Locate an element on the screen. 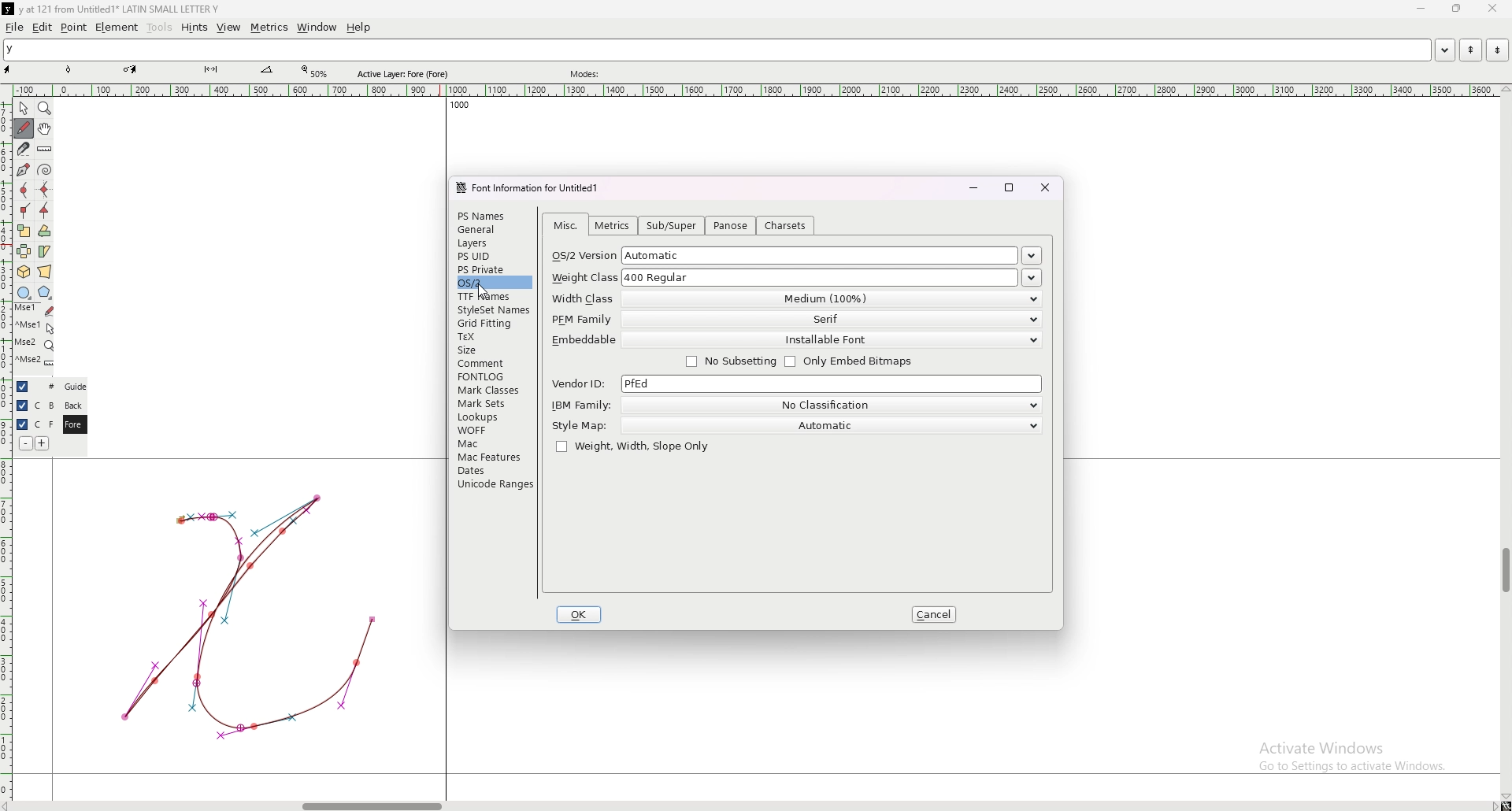  mark sets is located at coordinates (492, 403).